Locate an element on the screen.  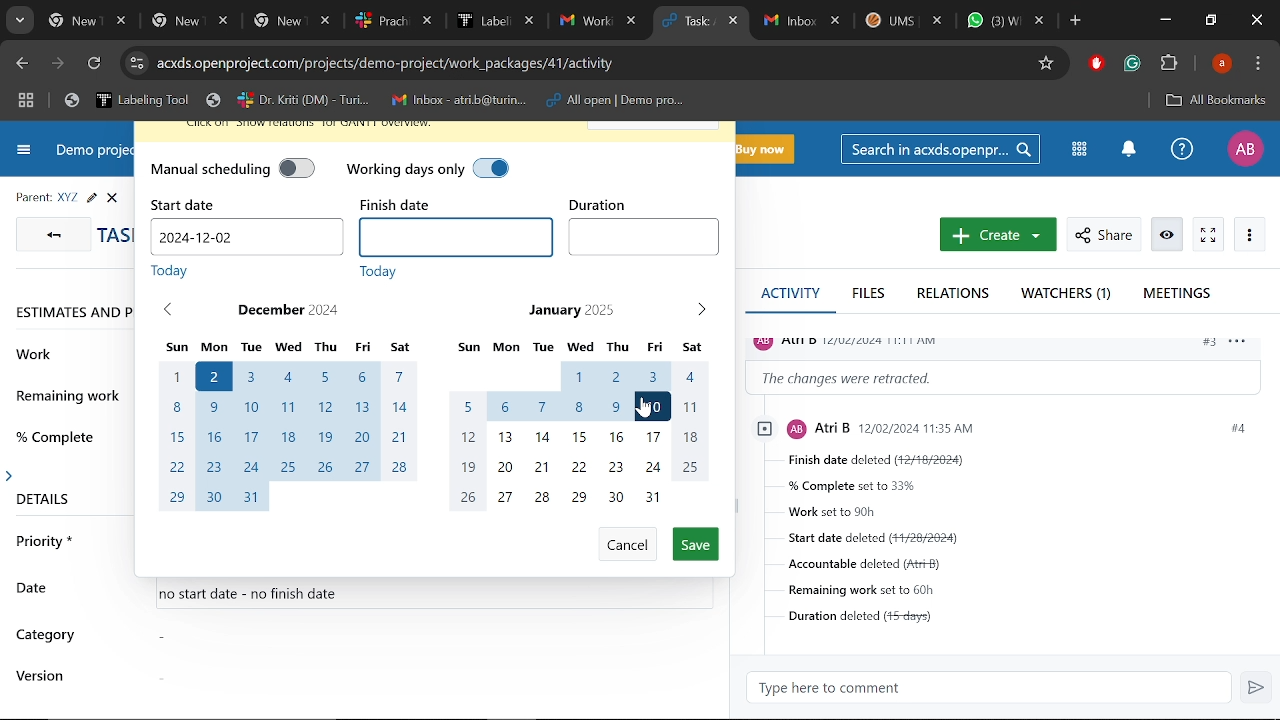
version is located at coordinates (43, 675).